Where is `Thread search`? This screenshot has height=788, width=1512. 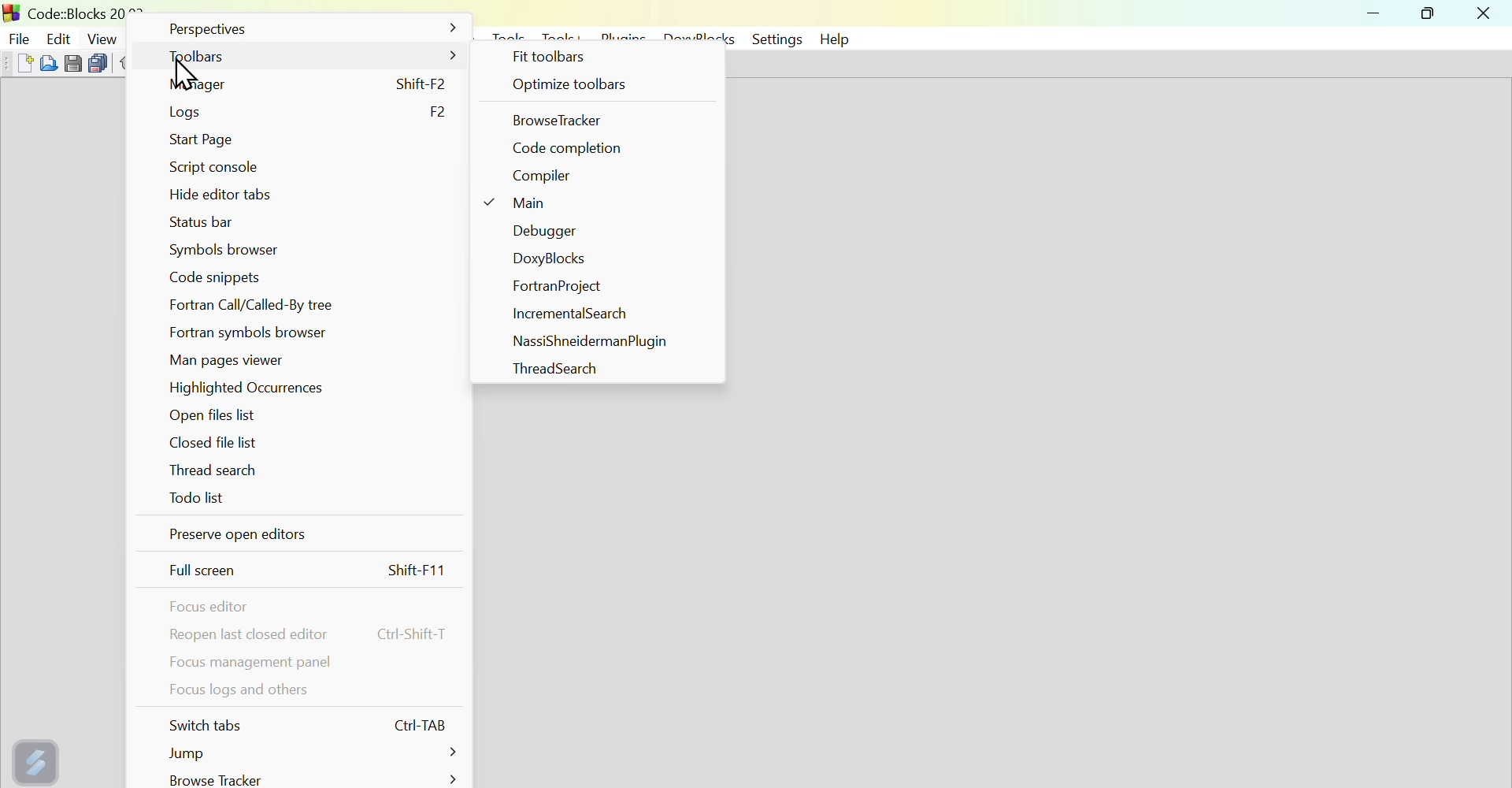
Thread search is located at coordinates (220, 473).